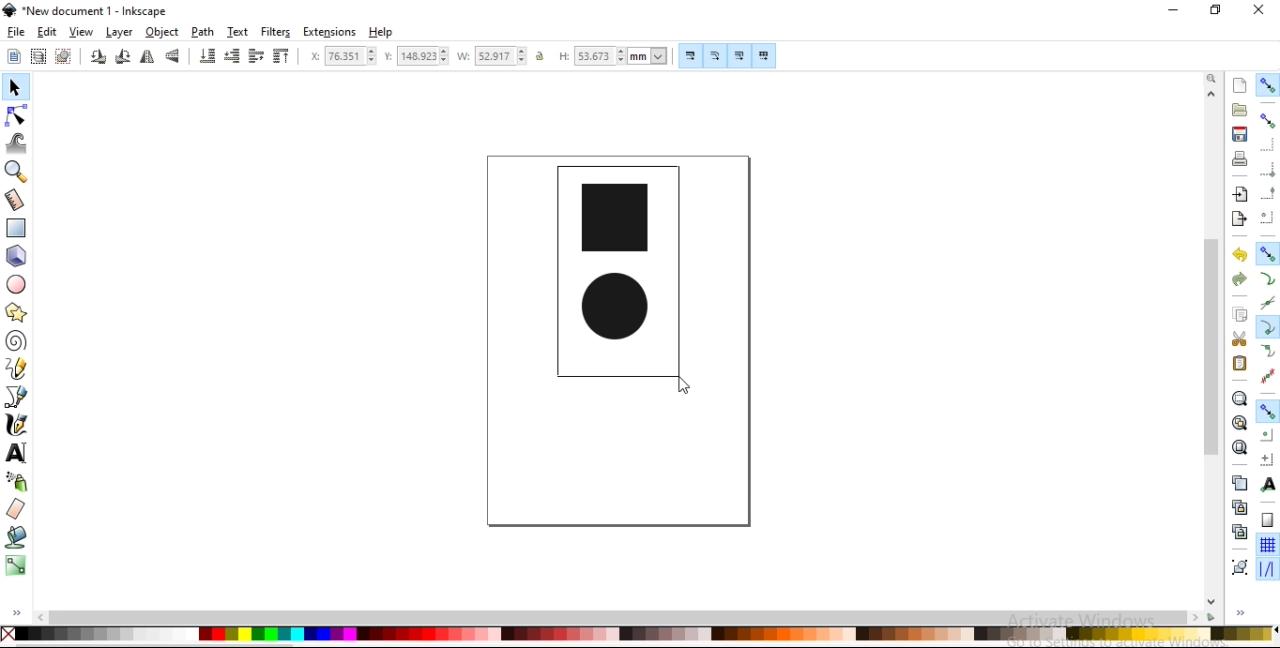 This screenshot has height=648, width=1280. Describe the element at coordinates (1267, 327) in the screenshot. I see `snap cusp nodes` at that location.